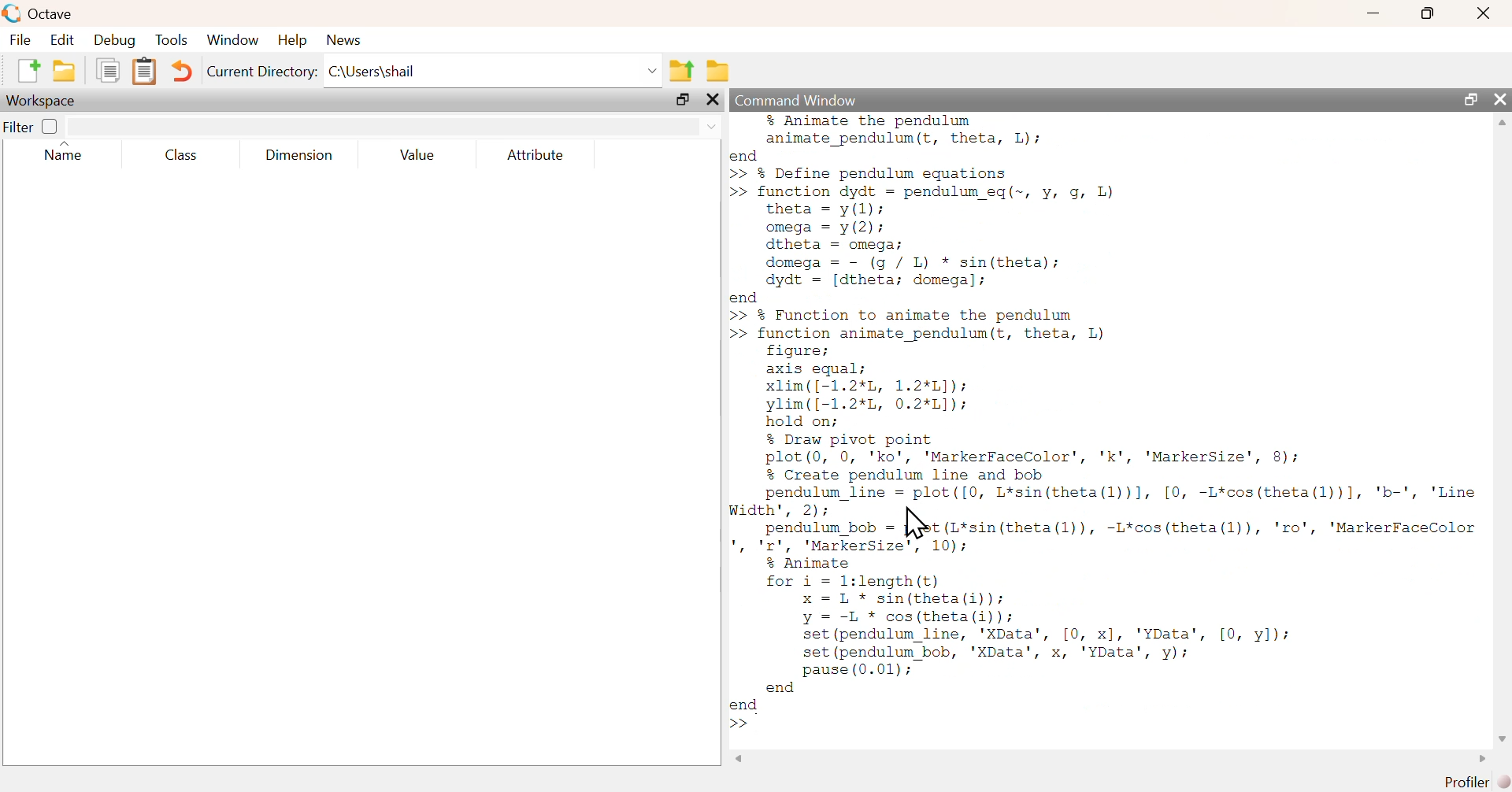 The width and height of the screenshot is (1512, 792). Describe the element at coordinates (1107, 414) in the screenshot. I see `% Animate the pendulum
animate_pendulum(t, theta, L);
end
>> % Define pendulum equations
>> function dydt = pendulum eq(~, y, g, L)
theta = y(1):
omega = y(2):
dtheta = omega;
domega = - (g / L) * sin(theta):
dydt = [dtheta; domega];
end
>> % Function to animate the pendulum
>> function animate pendulum(t, theta, L)
figure;
axis equal;
xlim([-1.2*L, 1.2*L]):
ylim([-1.2*L, 0.2*L]):
hold on;
% Draw pivot point
plot (0, 0, 'ko', 'MarkerFaceColor', 'k', 'MarkerSize', 8);
% Create pendulum line and bob
pendulum line = plot([0, L*sin(theta(1))], [0, -L*cos(theta(1l))], 'b-', 'Line
Width', 2):
pendulum bob = Ist wrsin (theta), -L*cos (theta(1l)), 'ro', 'MarkerFaceColor
', 'r', 'MarkerSize', 10);
% Animate
for i = 1l:length(t)
x = L * sin(theta(i)):
y = -L * cos(theta(i)):
set (pendulum line, 'XData', [0, x], '¥YData', [0, yl):
set (pendulum bob, 'XData', x, 'YData', y):
pause (0.01) ;
end
end` at that location.